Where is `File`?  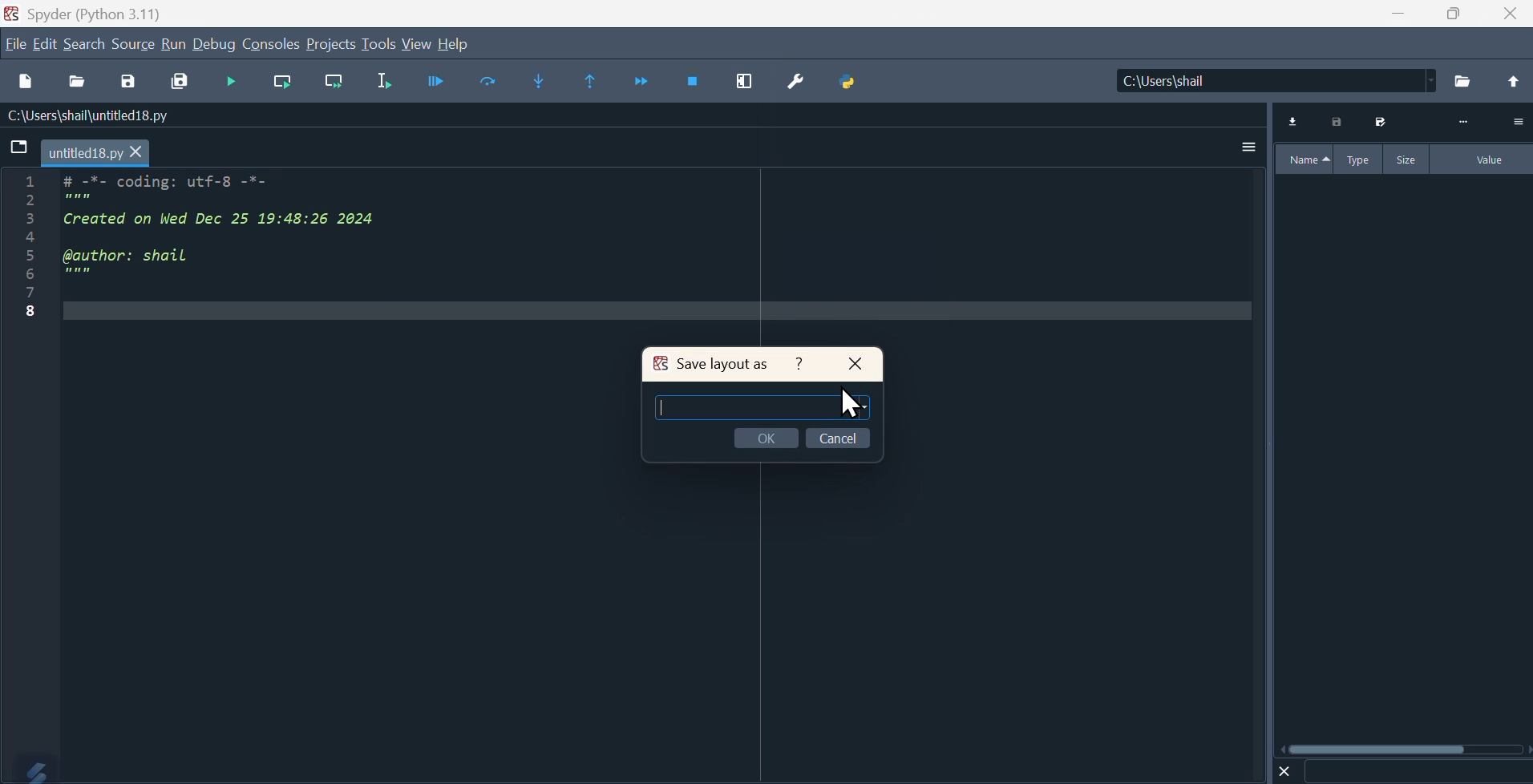
File is located at coordinates (20, 148).